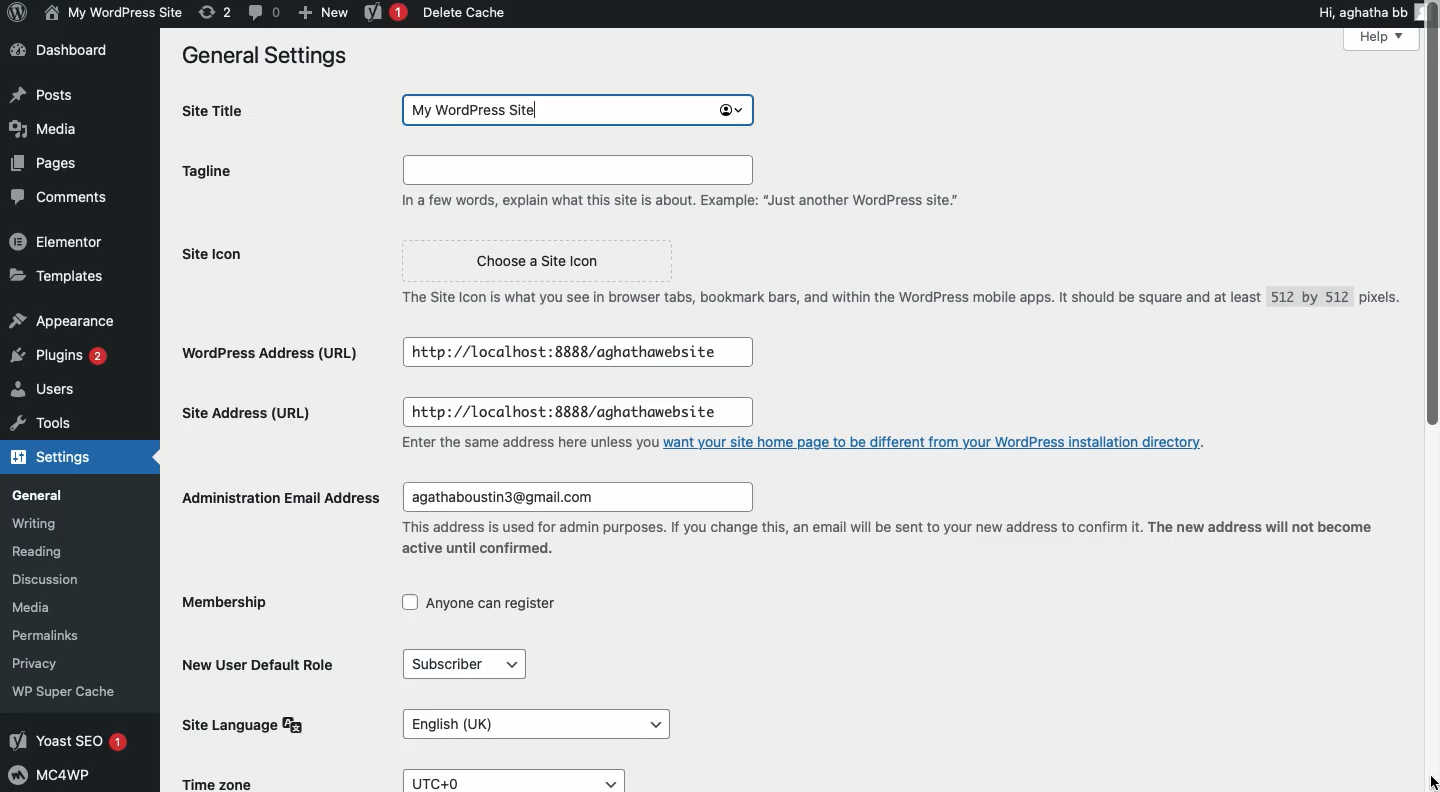  What do you see at coordinates (41, 423) in the screenshot?
I see `Tools` at bounding box center [41, 423].